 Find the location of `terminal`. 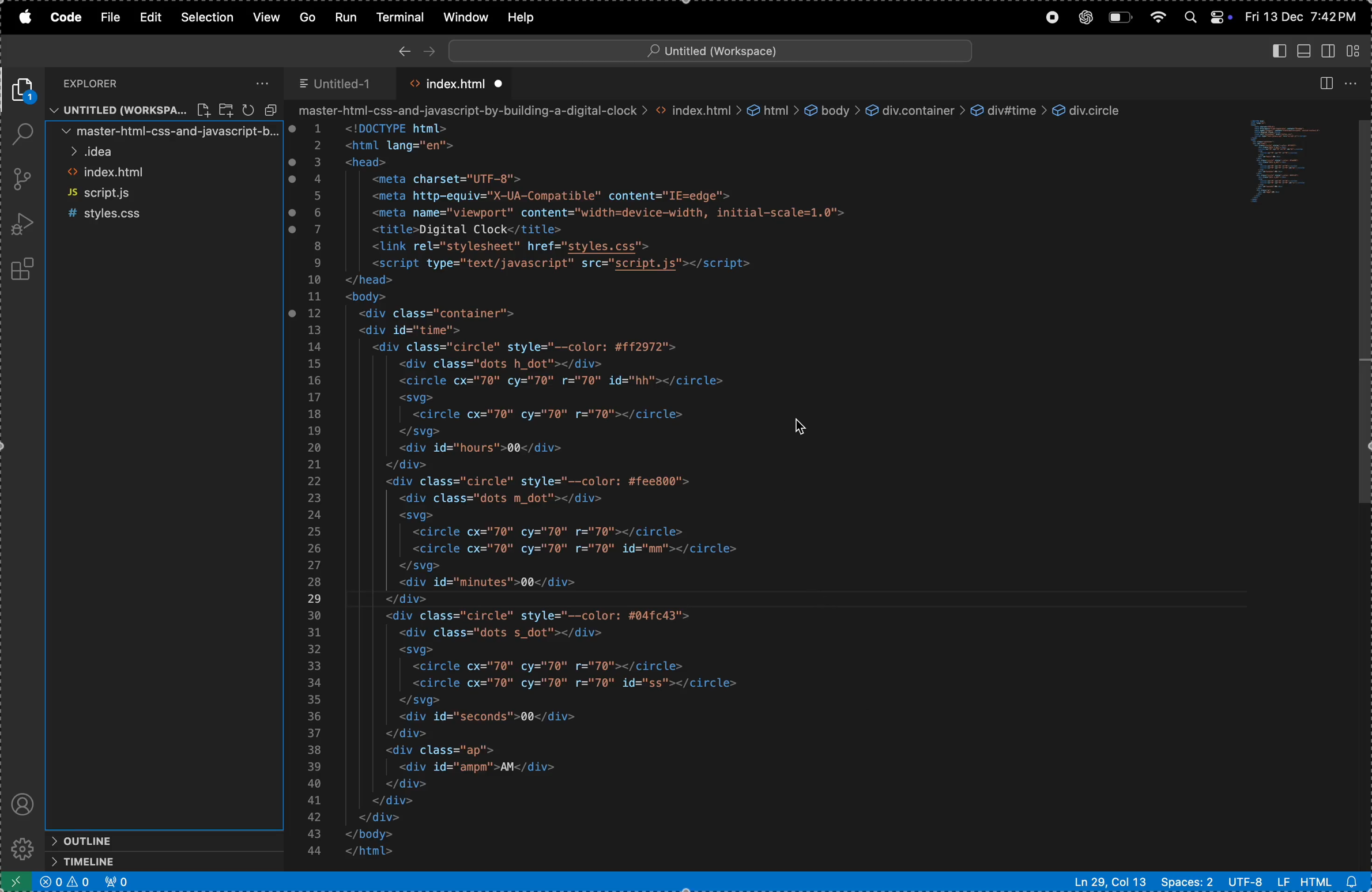

terminal is located at coordinates (402, 16).